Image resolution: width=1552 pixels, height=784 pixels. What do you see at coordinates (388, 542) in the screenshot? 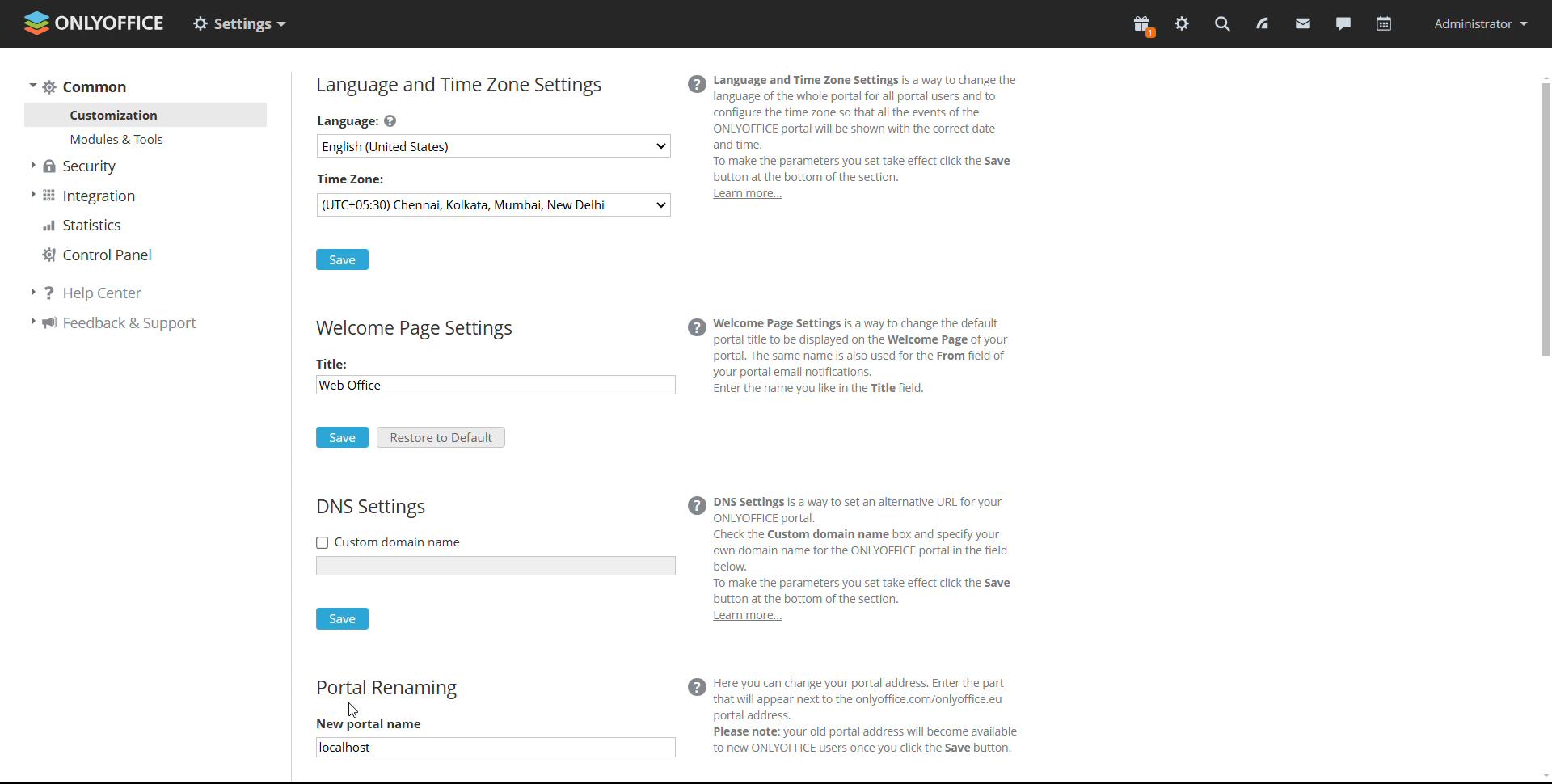
I see `custom domain name checkbox` at bounding box center [388, 542].